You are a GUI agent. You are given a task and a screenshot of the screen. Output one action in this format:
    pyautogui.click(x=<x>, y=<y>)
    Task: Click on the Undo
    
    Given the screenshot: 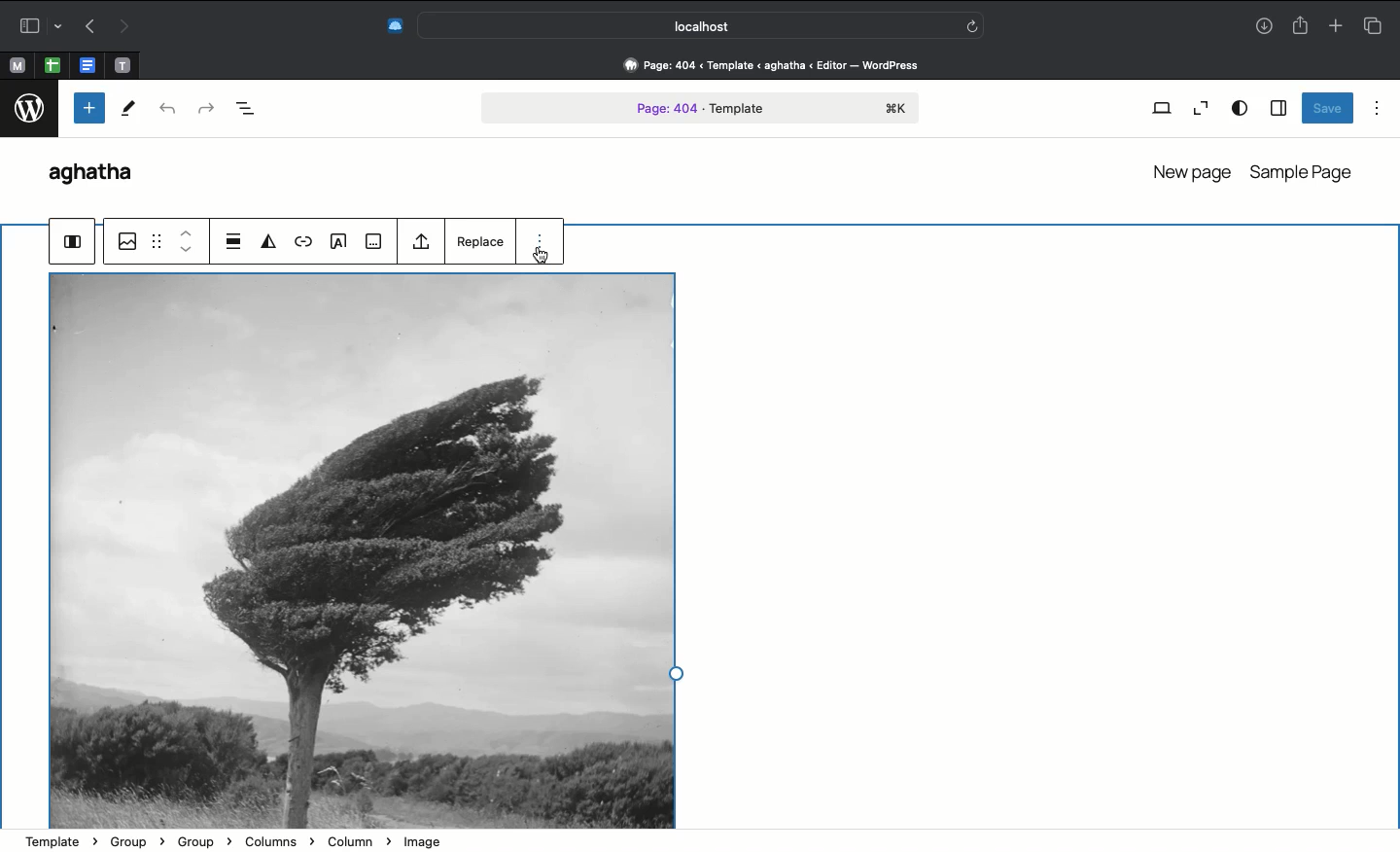 What is the action you would take?
    pyautogui.click(x=169, y=112)
    